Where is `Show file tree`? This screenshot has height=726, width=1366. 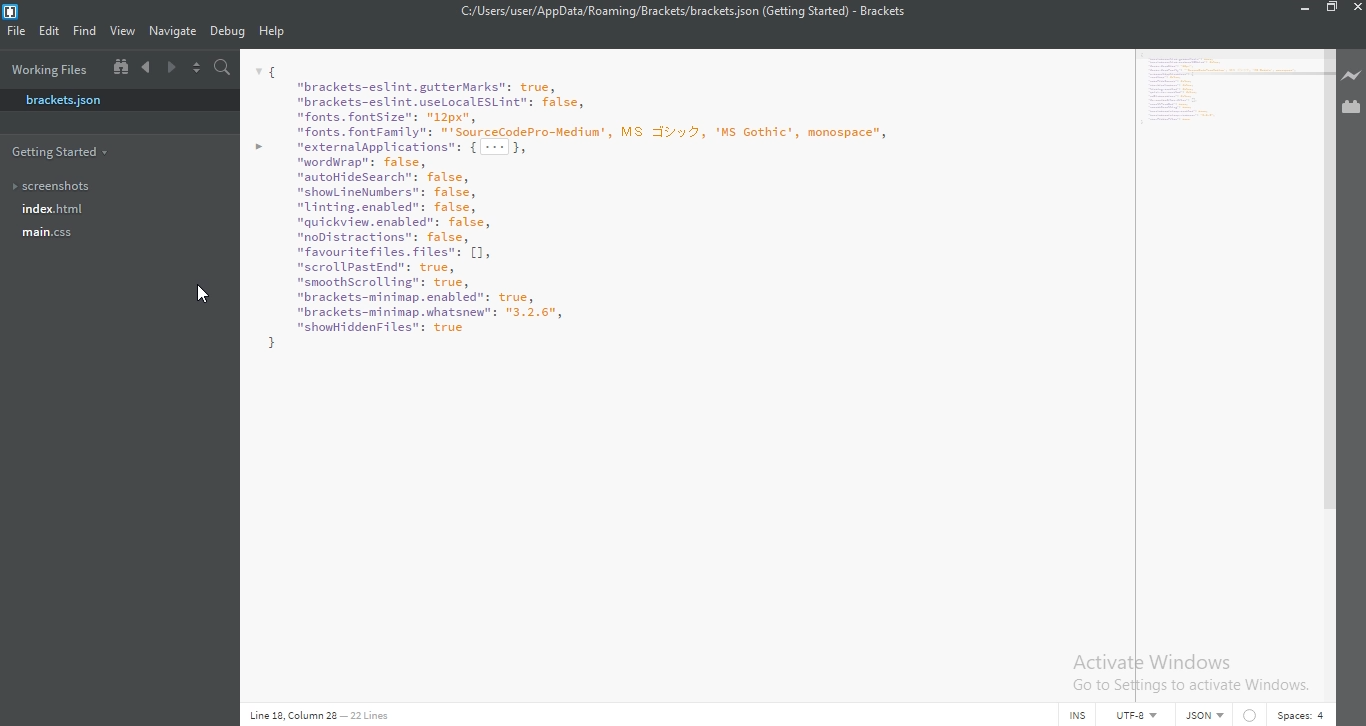 Show file tree is located at coordinates (120, 68).